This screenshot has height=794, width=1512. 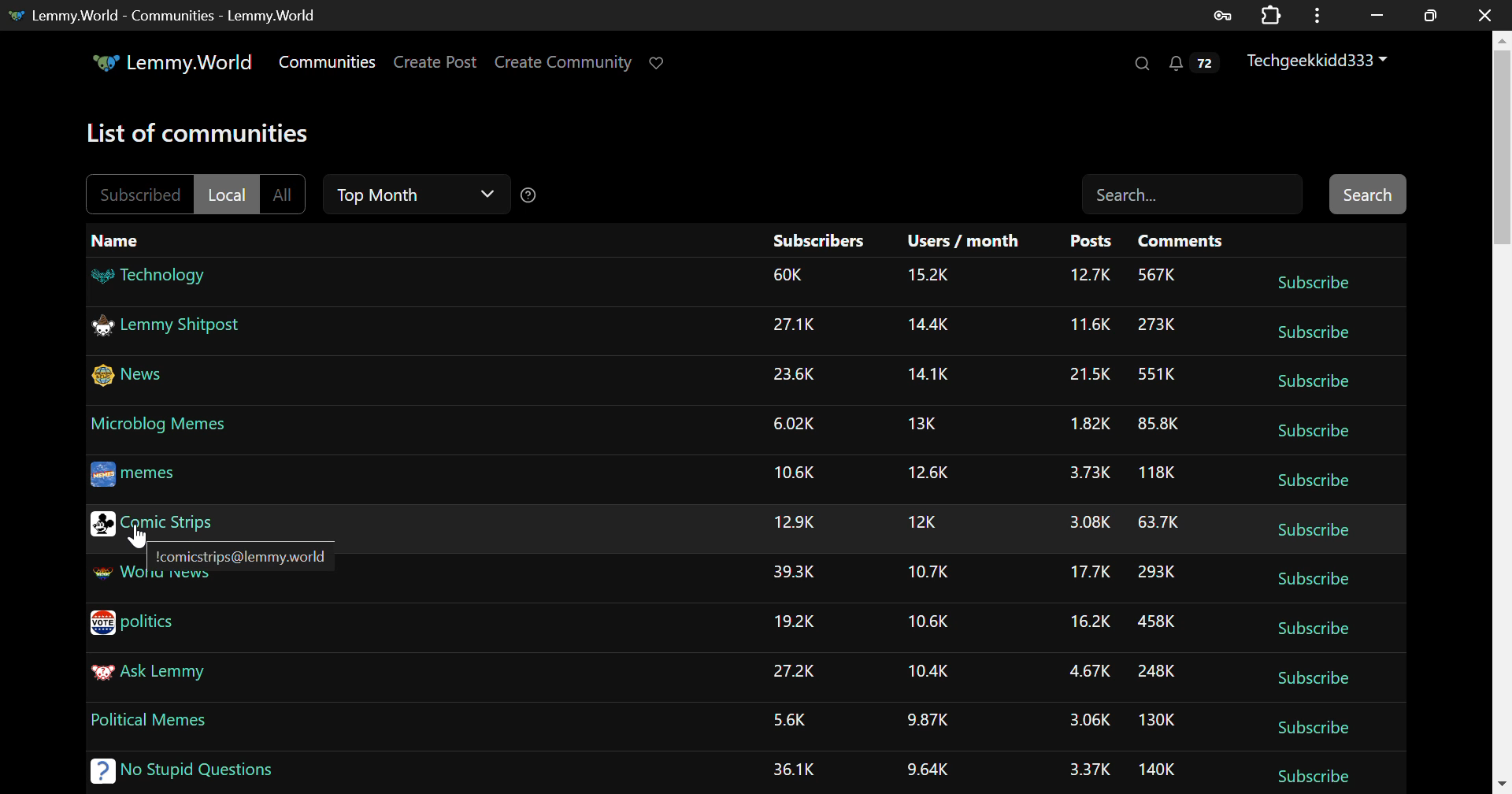 What do you see at coordinates (133, 379) in the screenshot?
I see `News` at bounding box center [133, 379].